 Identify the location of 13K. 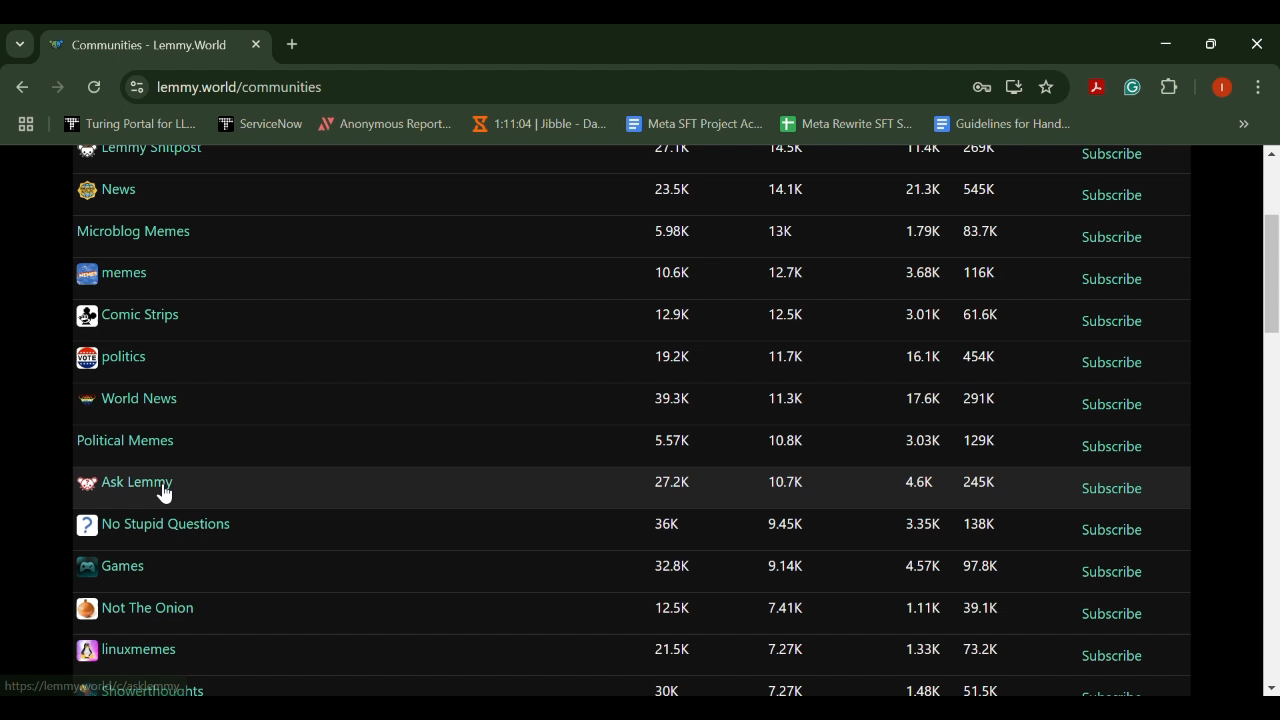
(780, 231).